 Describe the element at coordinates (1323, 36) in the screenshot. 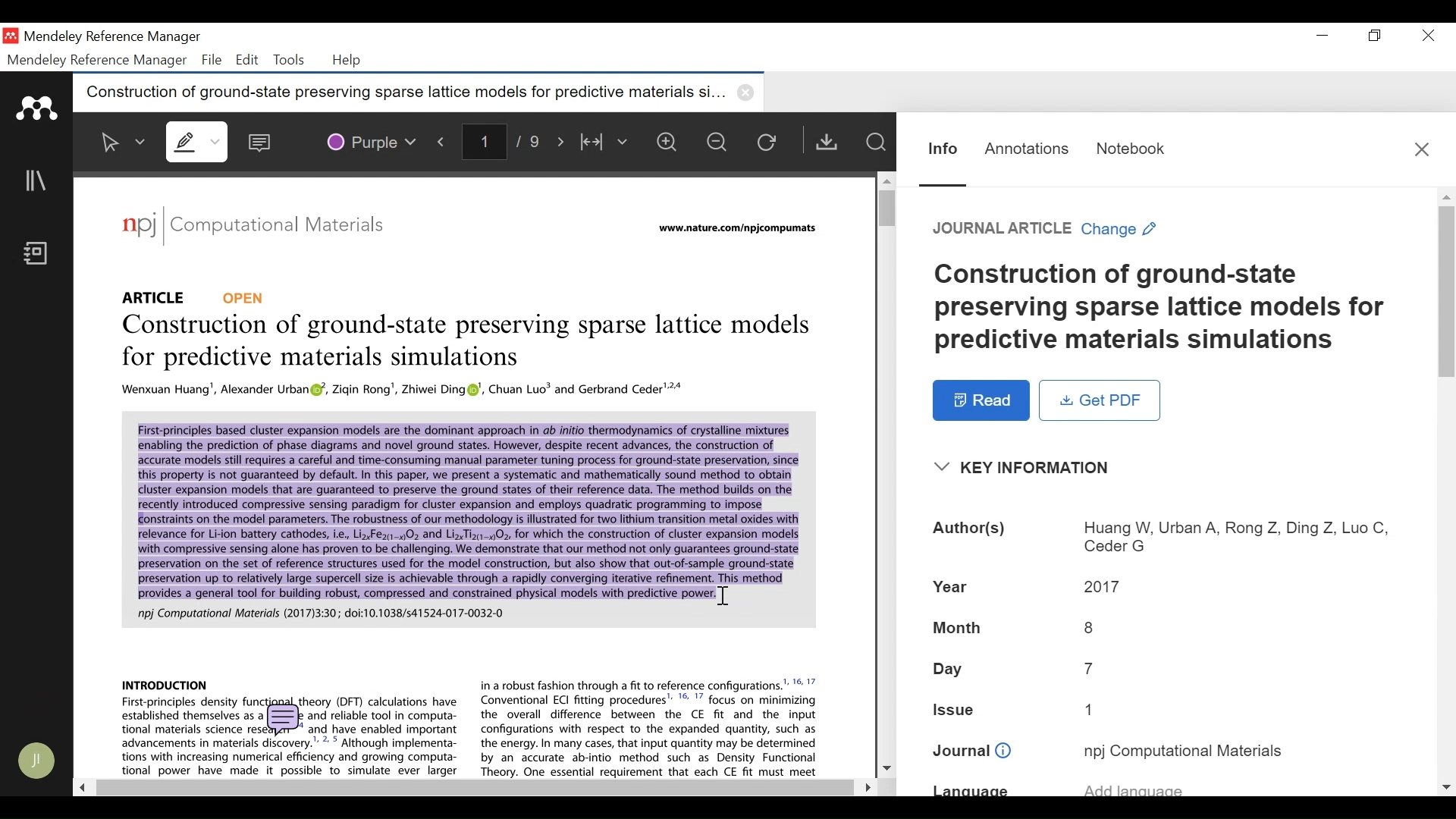

I see `minimize` at that location.